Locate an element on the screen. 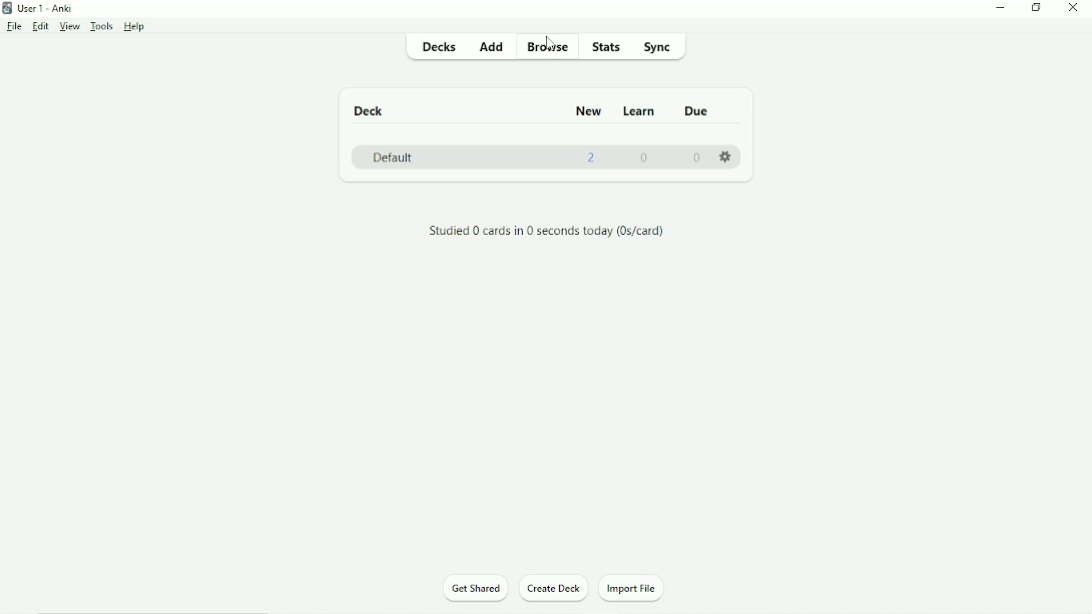  Close is located at coordinates (1073, 8).